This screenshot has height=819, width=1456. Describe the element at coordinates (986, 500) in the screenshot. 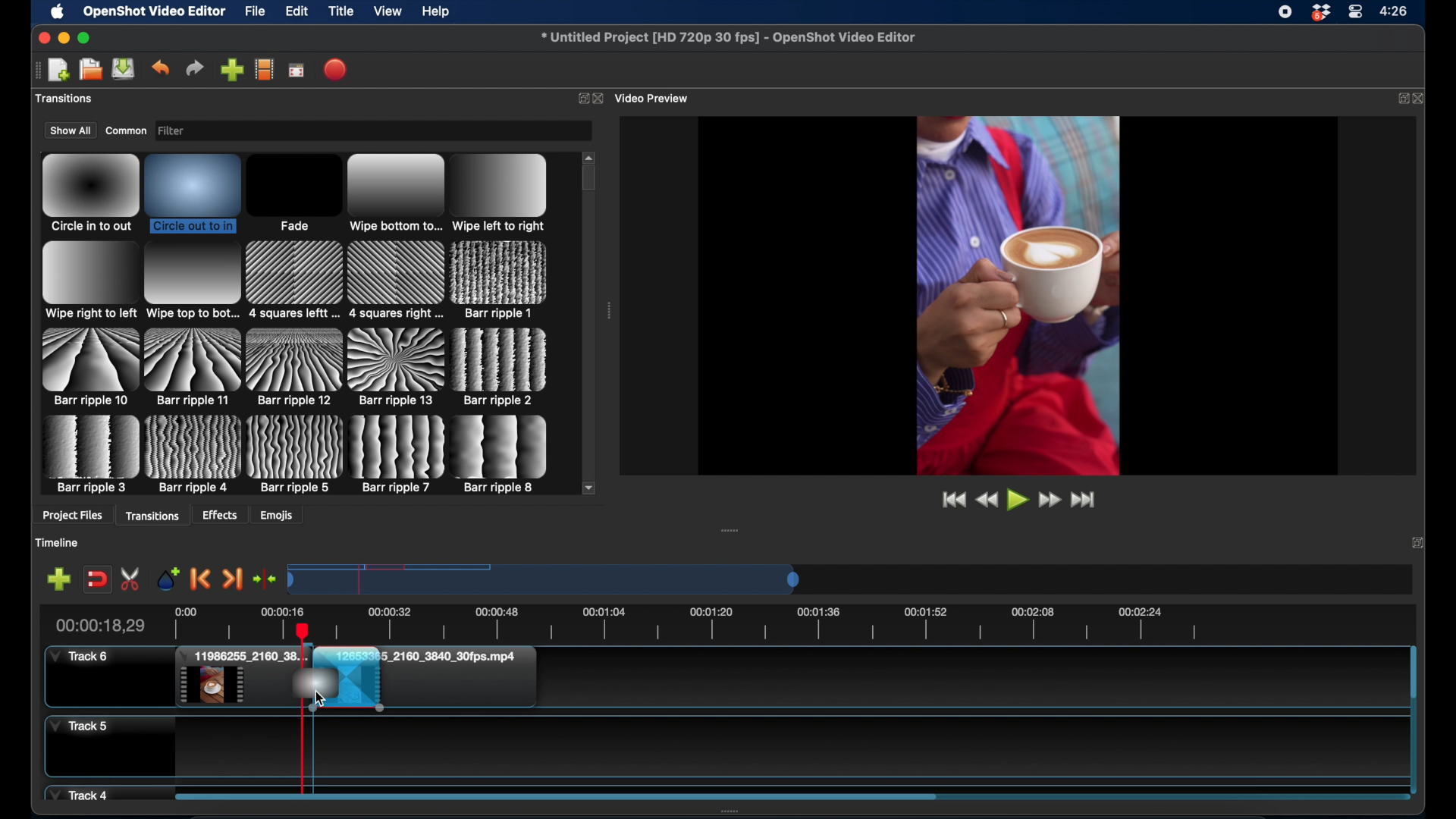

I see `rewind` at that location.